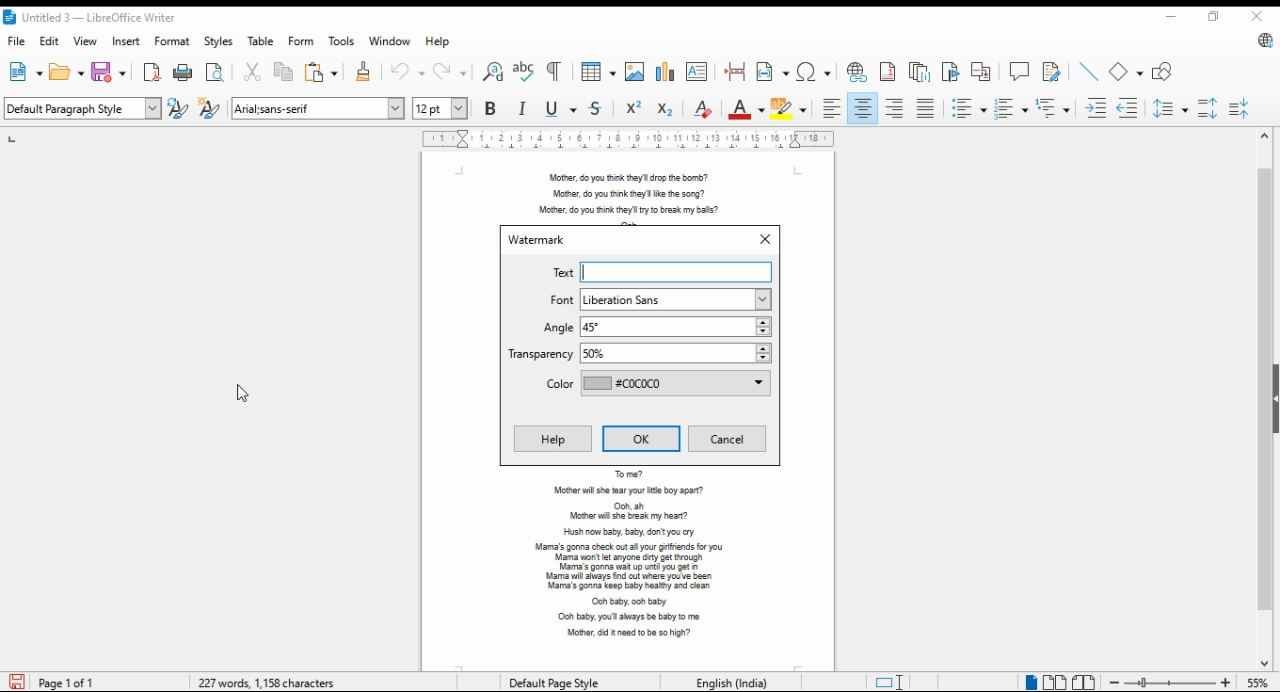 The height and width of the screenshot is (692, 1280). What do you see at coordinates (887, 681) in the screenshot?
I see `toggle cursor` at bounding box center [887, 681].